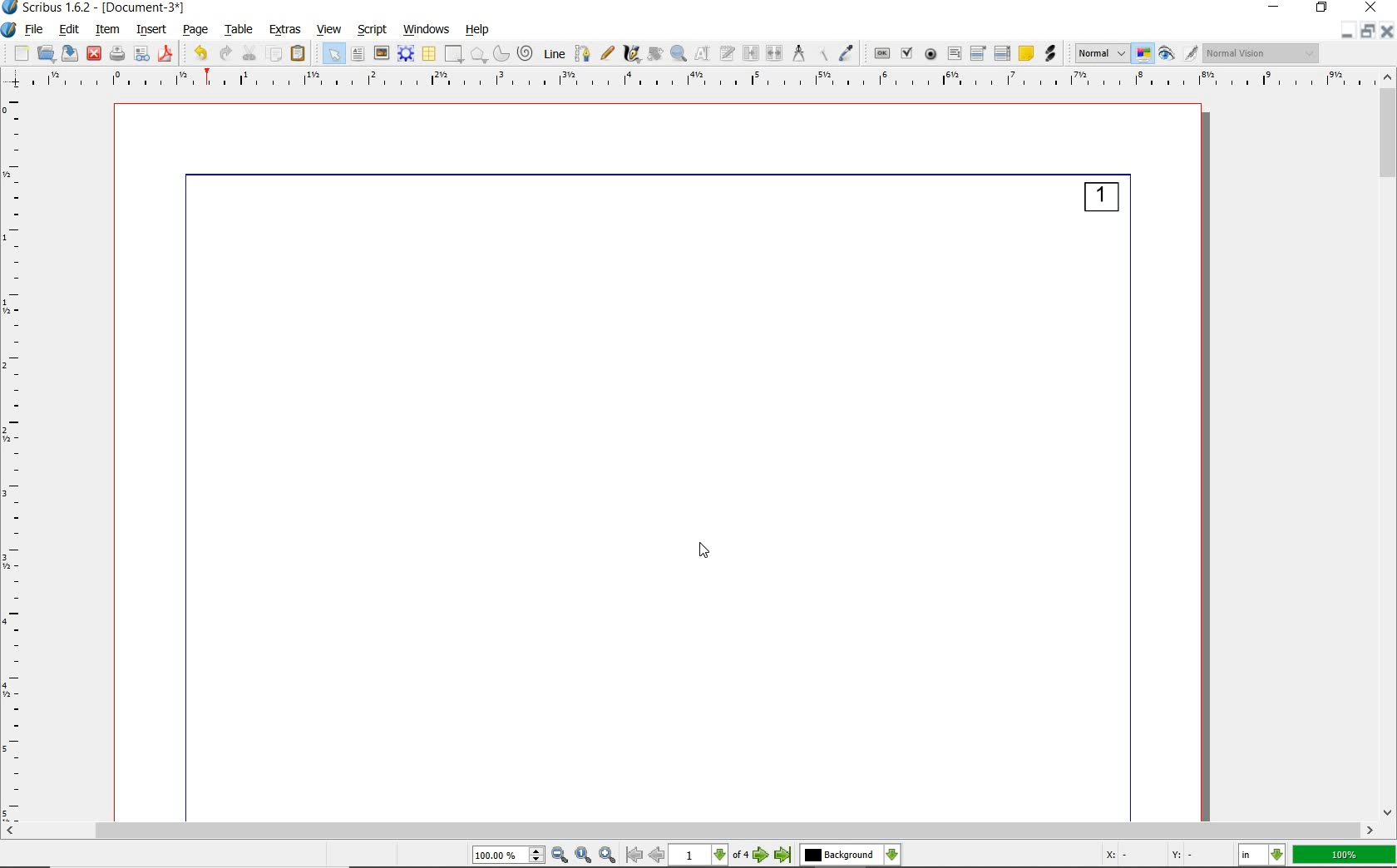 The width and height of the screenshot is (1397, 868). What do you see at coordinates (284, 27) in the screenshot?
I see `extras` at bounding box center [284, 27].